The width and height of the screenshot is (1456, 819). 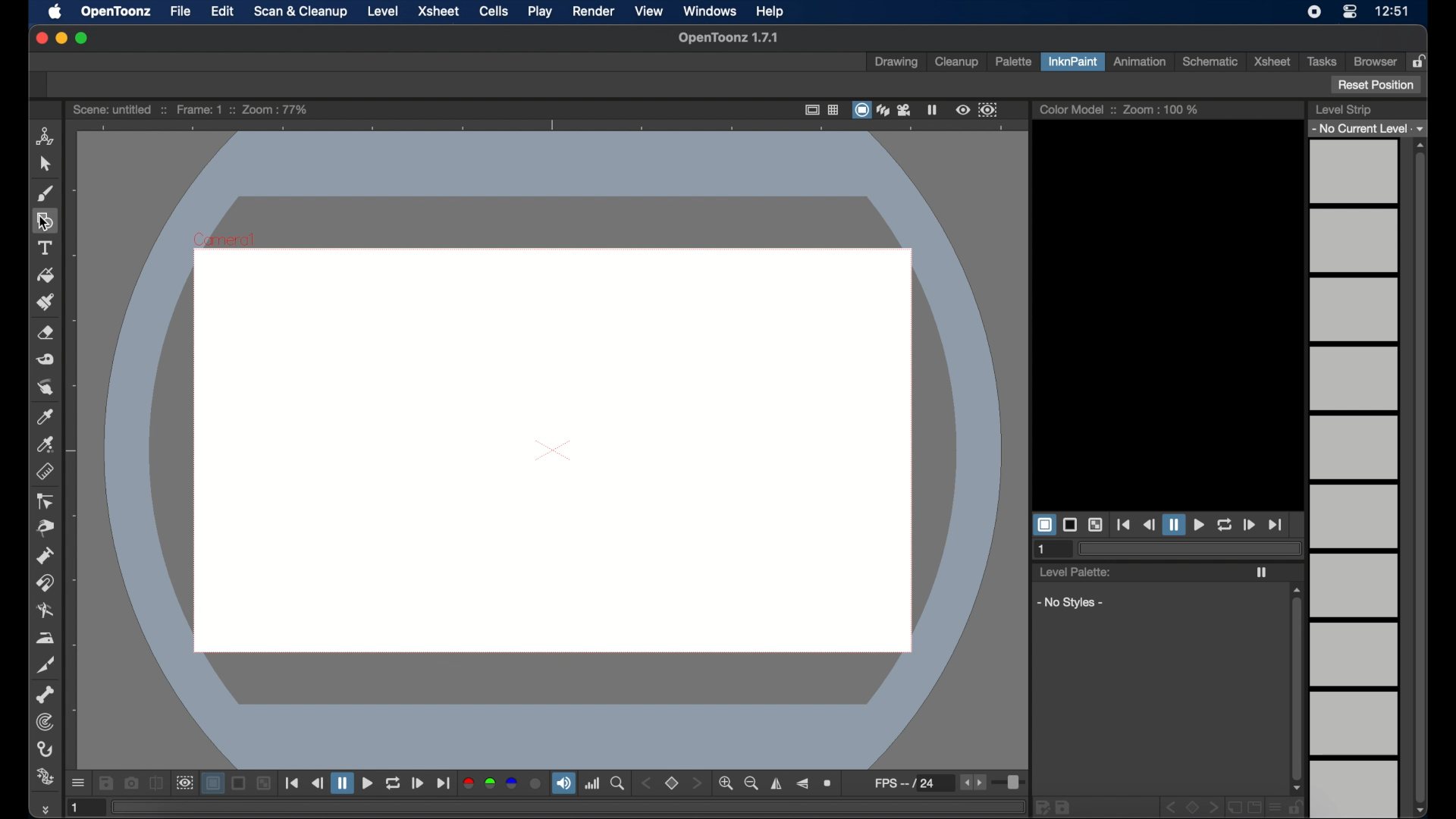 What do you see at coordinates (83, 38) in the screenshot?
I see `maximize` at bounding box center [83, 38].